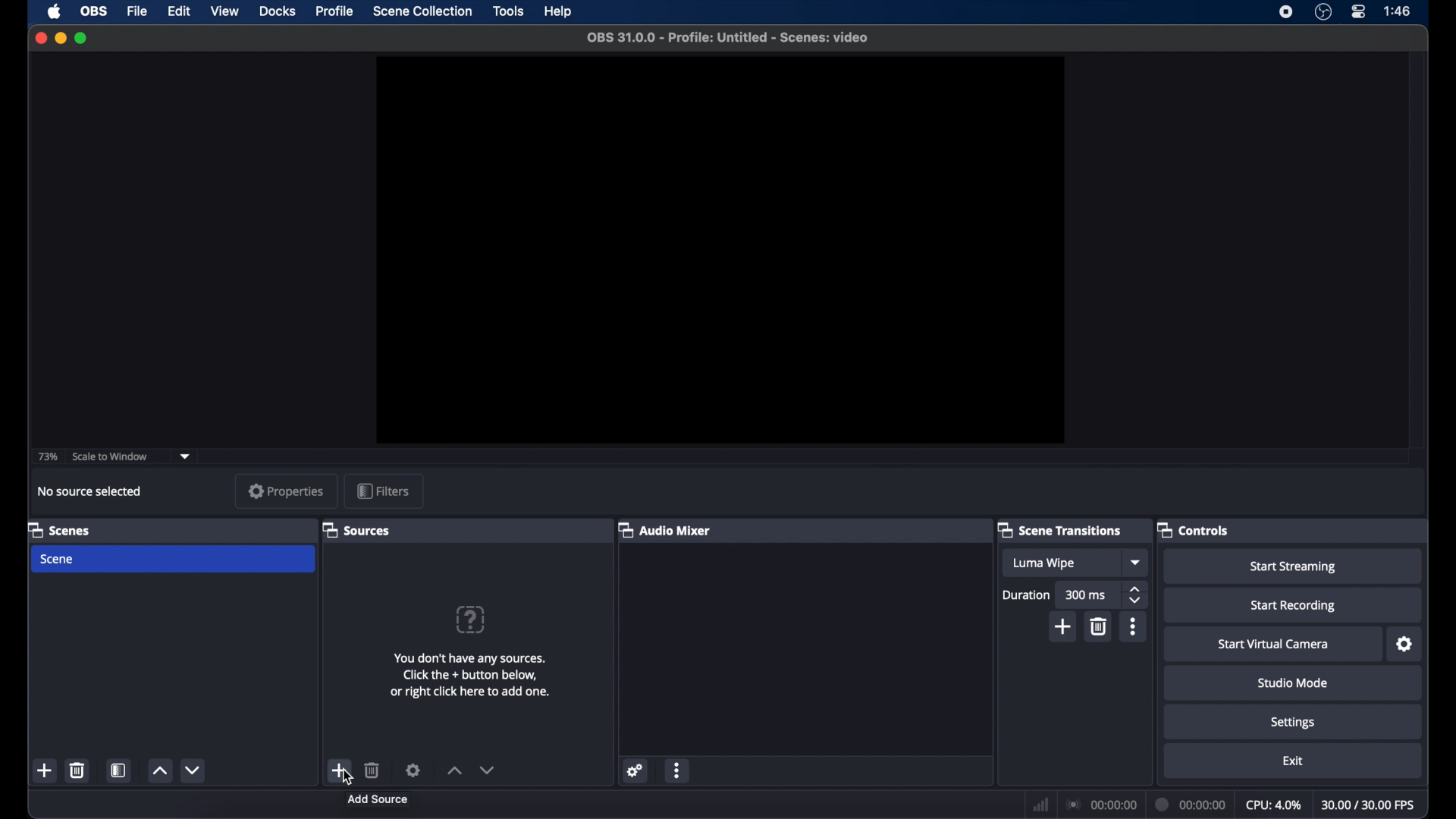  Describe the element at coordinates (453, 770) in the screenshot. I see `increment` at that location.